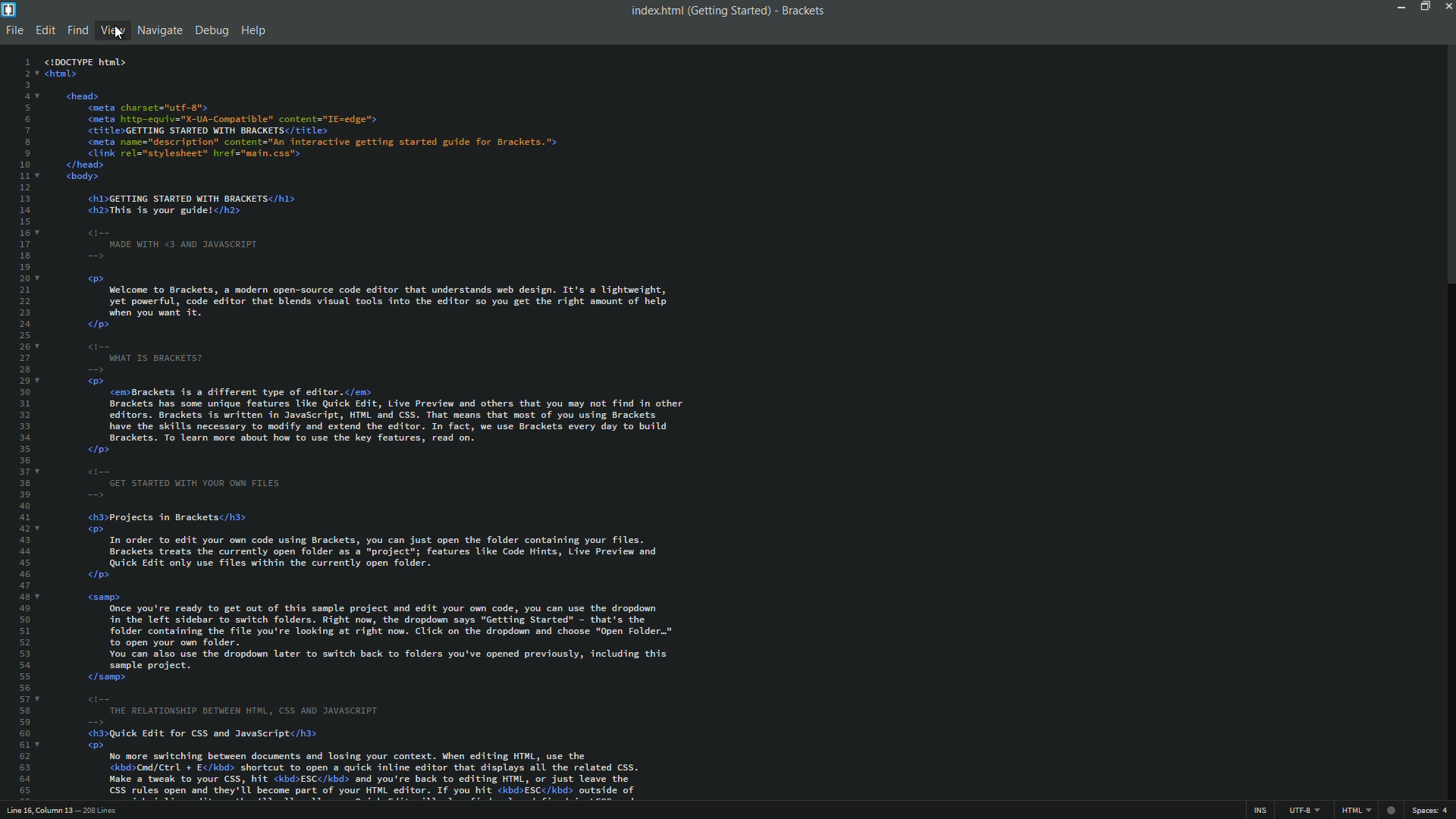 The image size is (1456, 819). I want to click on debug menu, so click(210, 32).